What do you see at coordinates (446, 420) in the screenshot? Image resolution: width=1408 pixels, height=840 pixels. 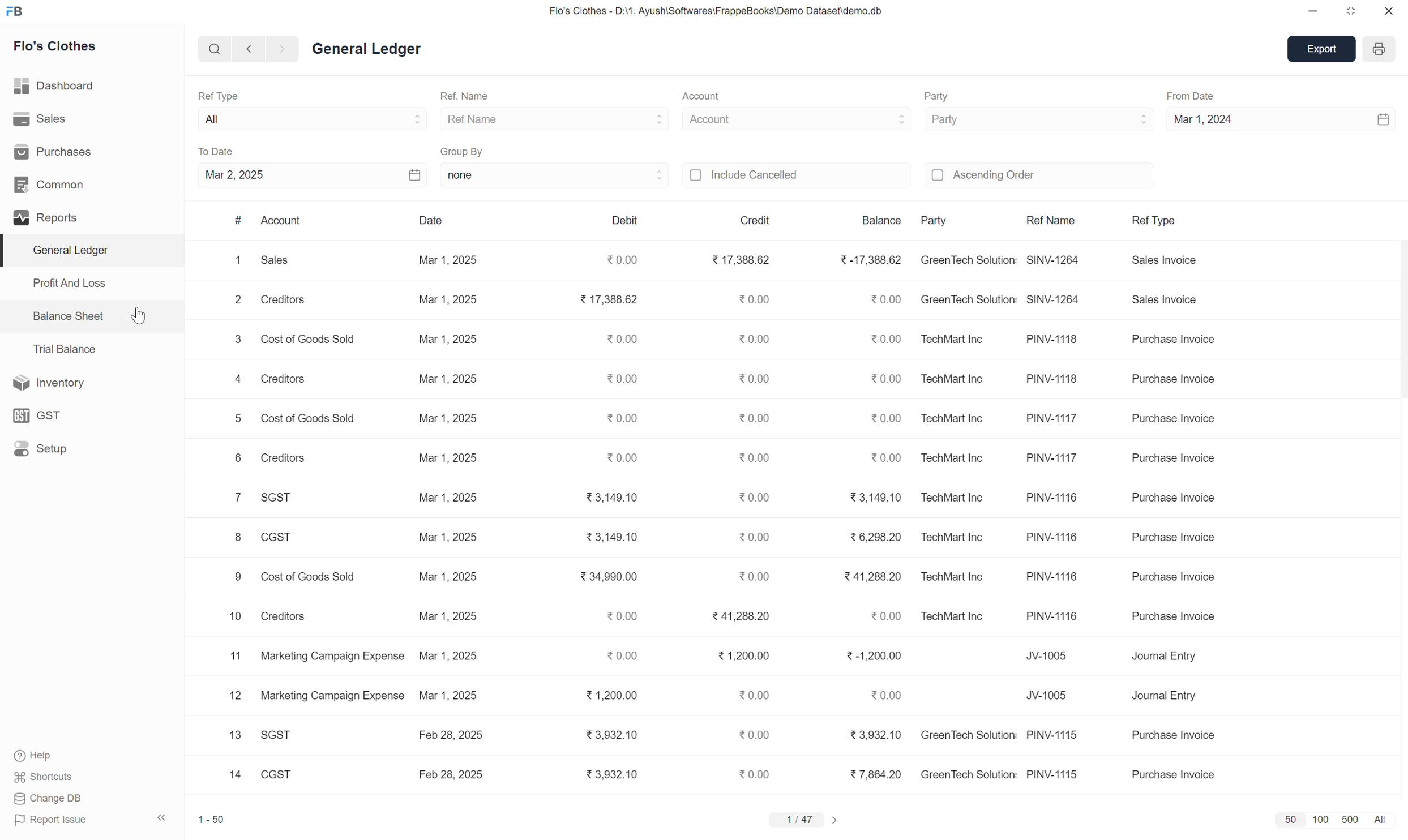 I see `Mar 1, 2025` at bounding box center [446, 420].